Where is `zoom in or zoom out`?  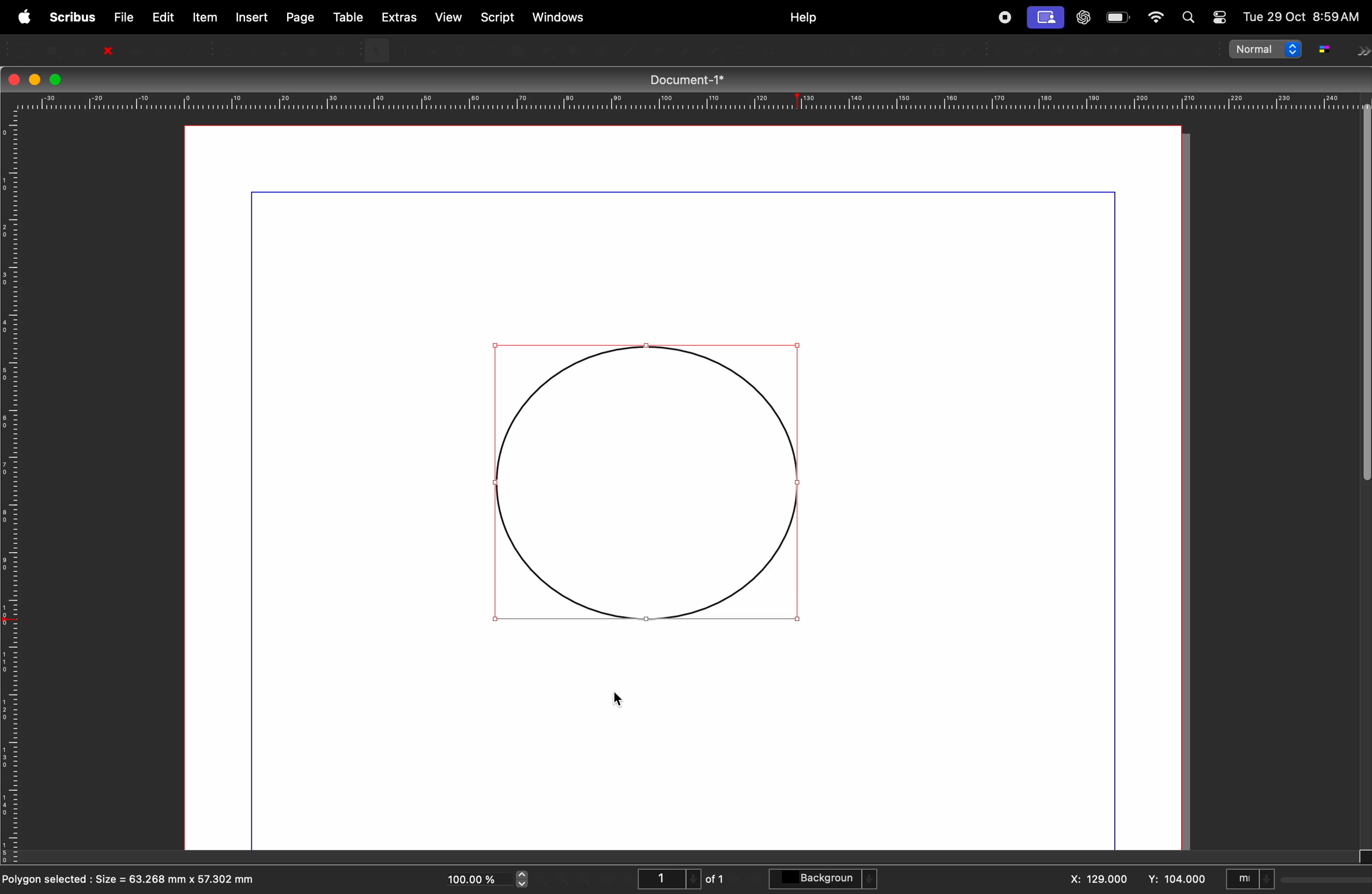 zoom in or zoom out is located at coordinates (771, 51).